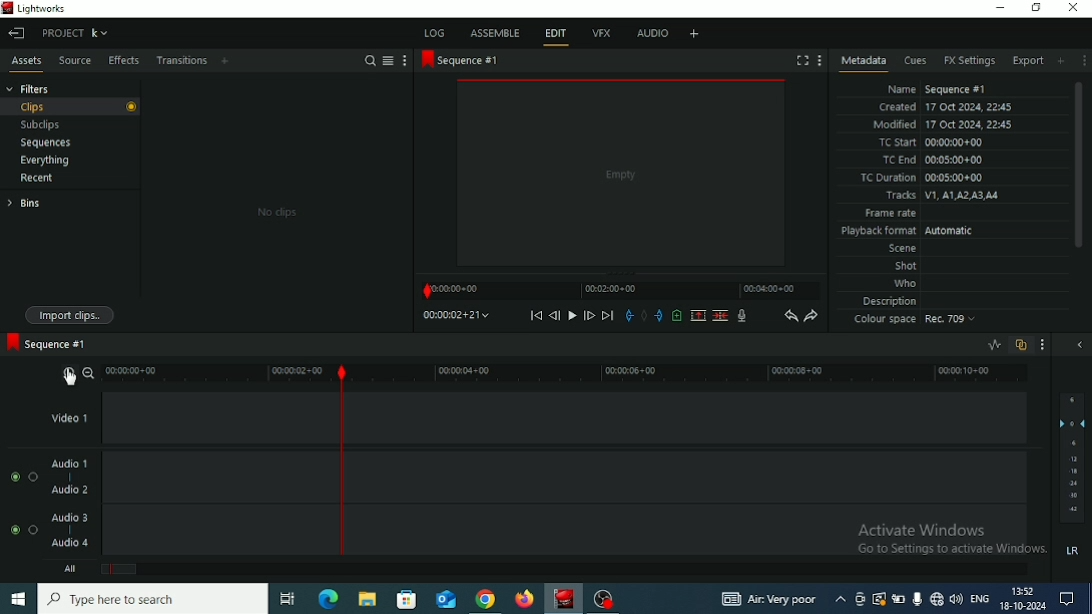 The height and width of the screenshot is (614, 1092). Describe the element at coordinates (643, 316) in the screenshot. I see `Clear all marks` at that location.